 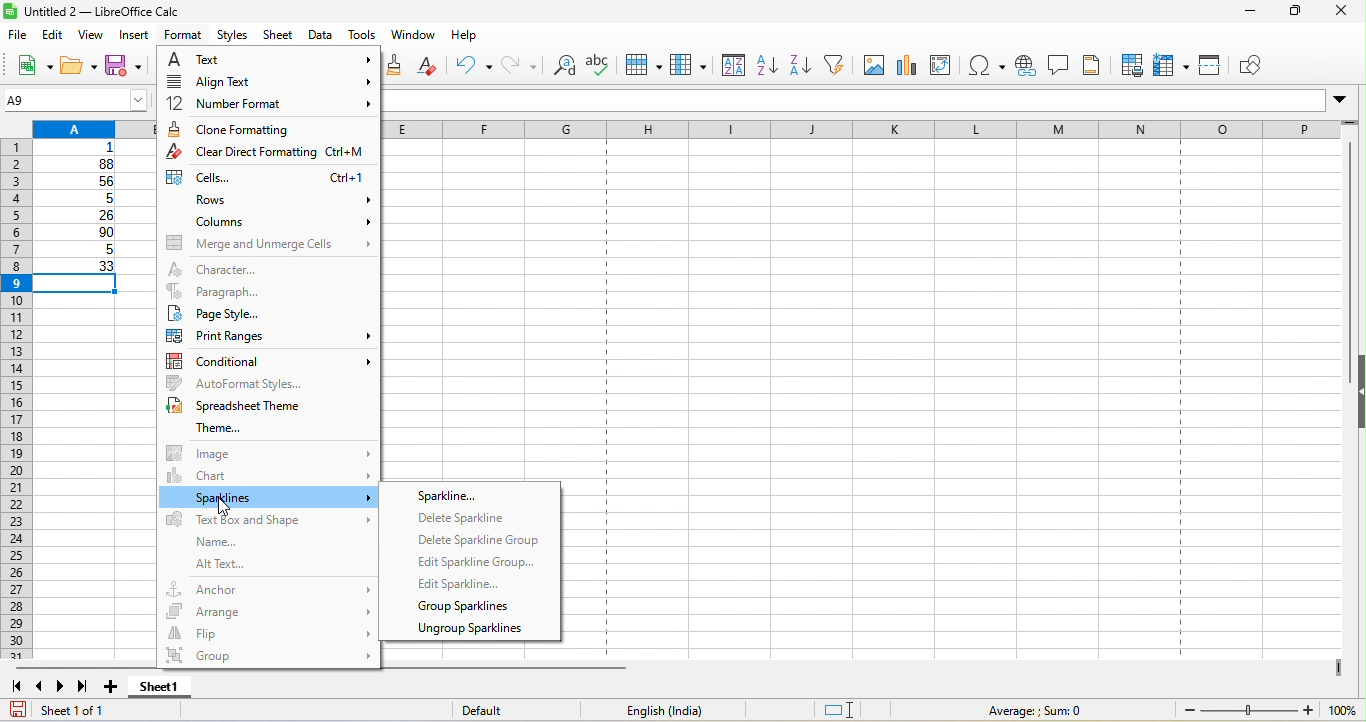 What do you see at coordinates (1210, 66) in the screenshot?
I see `split window` at bounding box center [1210, 66].